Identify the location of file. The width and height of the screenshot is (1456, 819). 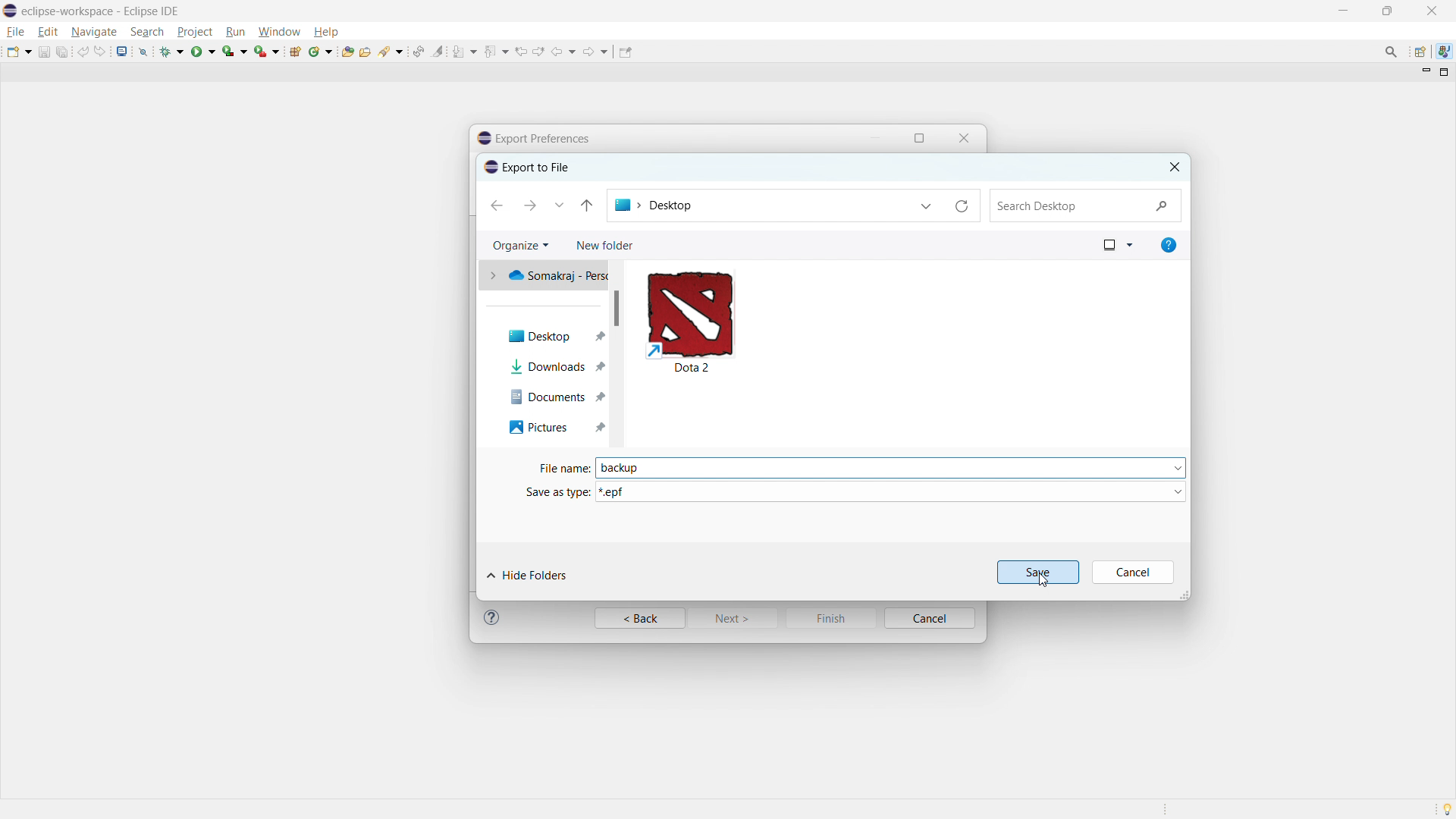
(17, 32).